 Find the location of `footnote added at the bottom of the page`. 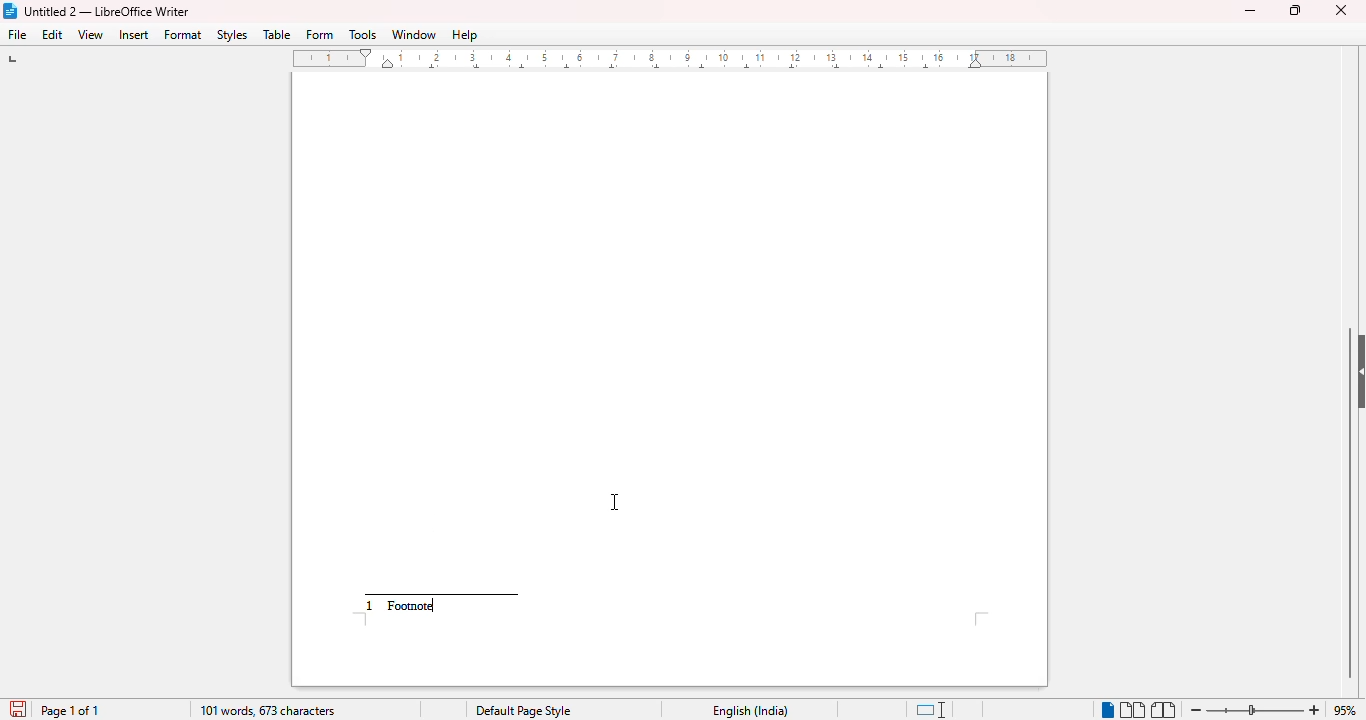

footnote added at the bottom of the page is located at coordinates (411, 606).